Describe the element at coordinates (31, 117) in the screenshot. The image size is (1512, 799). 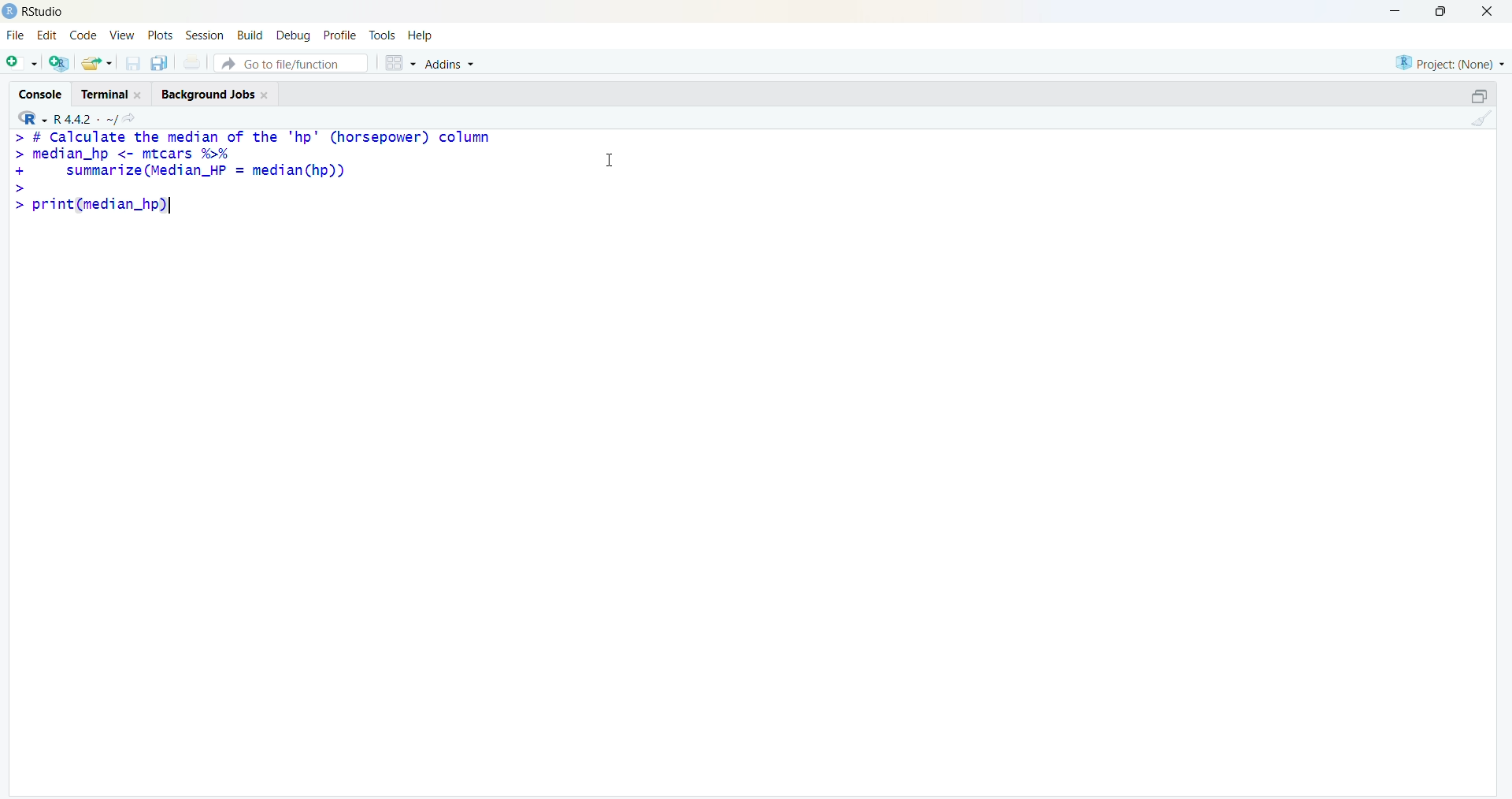
I see `R` at that location.